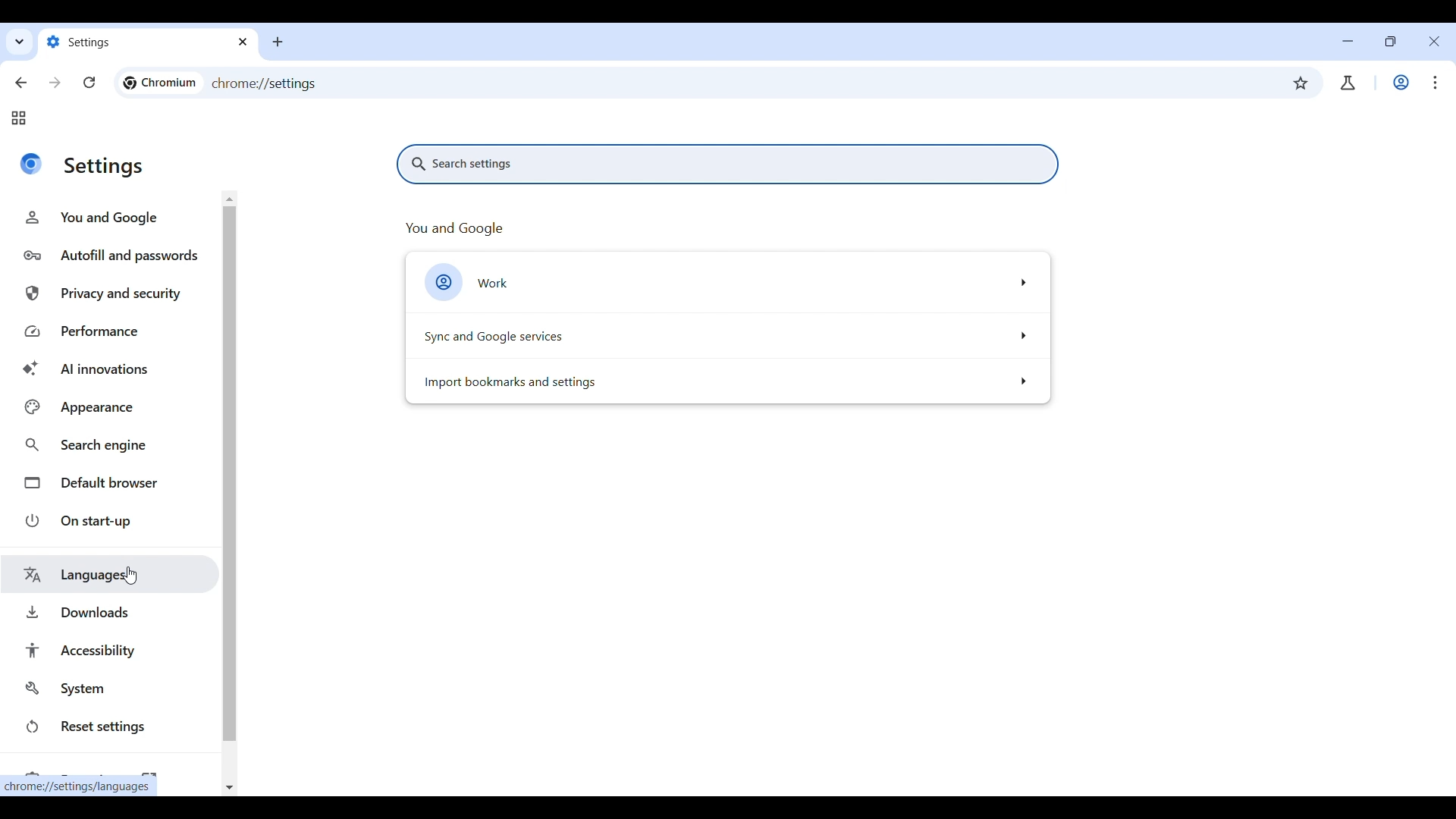  What do you see at coordinates (1348, 41) in the screenshot?
I see `Minimize` at bounding box center [1348, 41].